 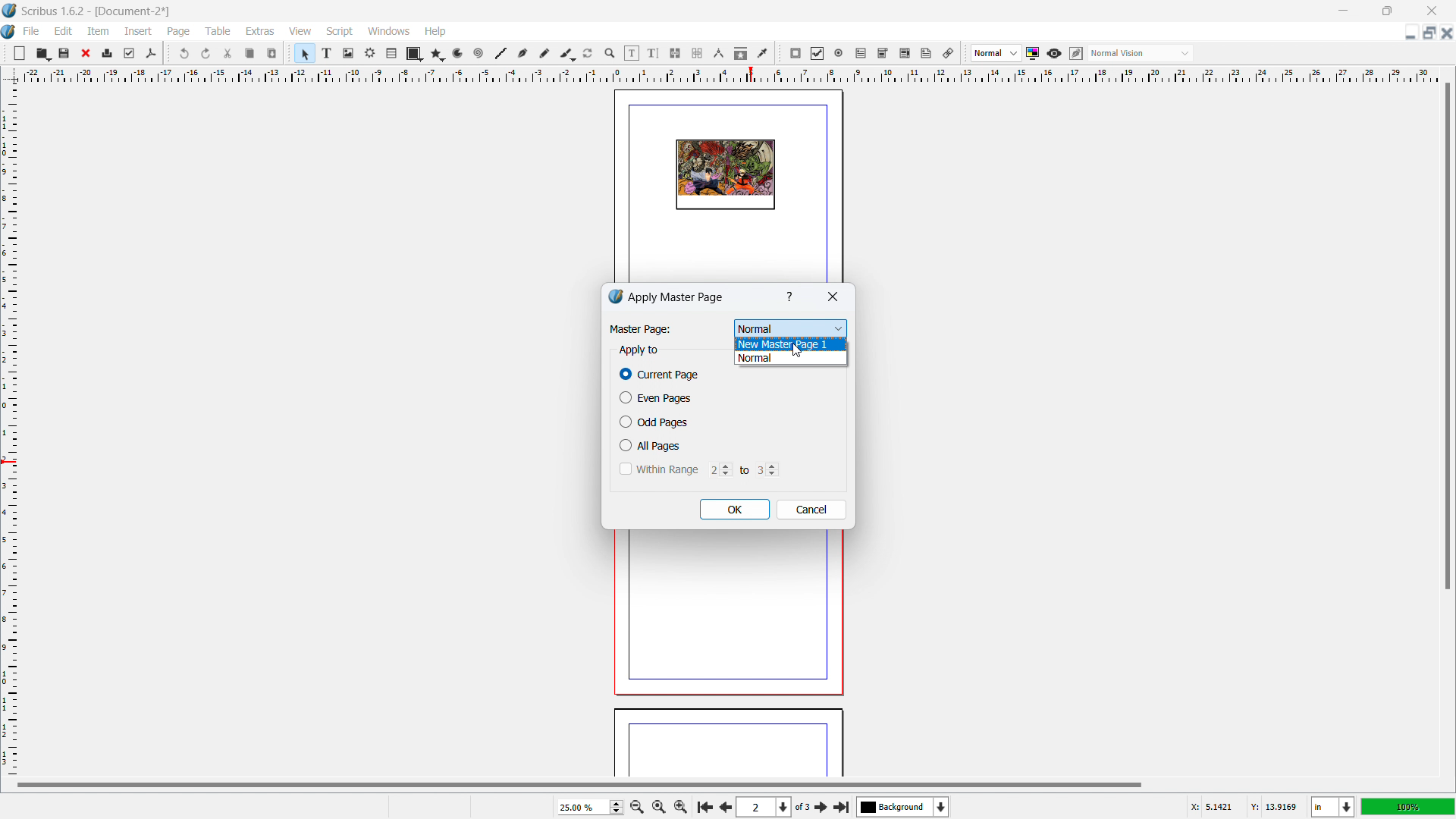 What do you see at coordinates (588, 54) in the screenshot?
I see `rotate item` at bounding box center [588, 54].